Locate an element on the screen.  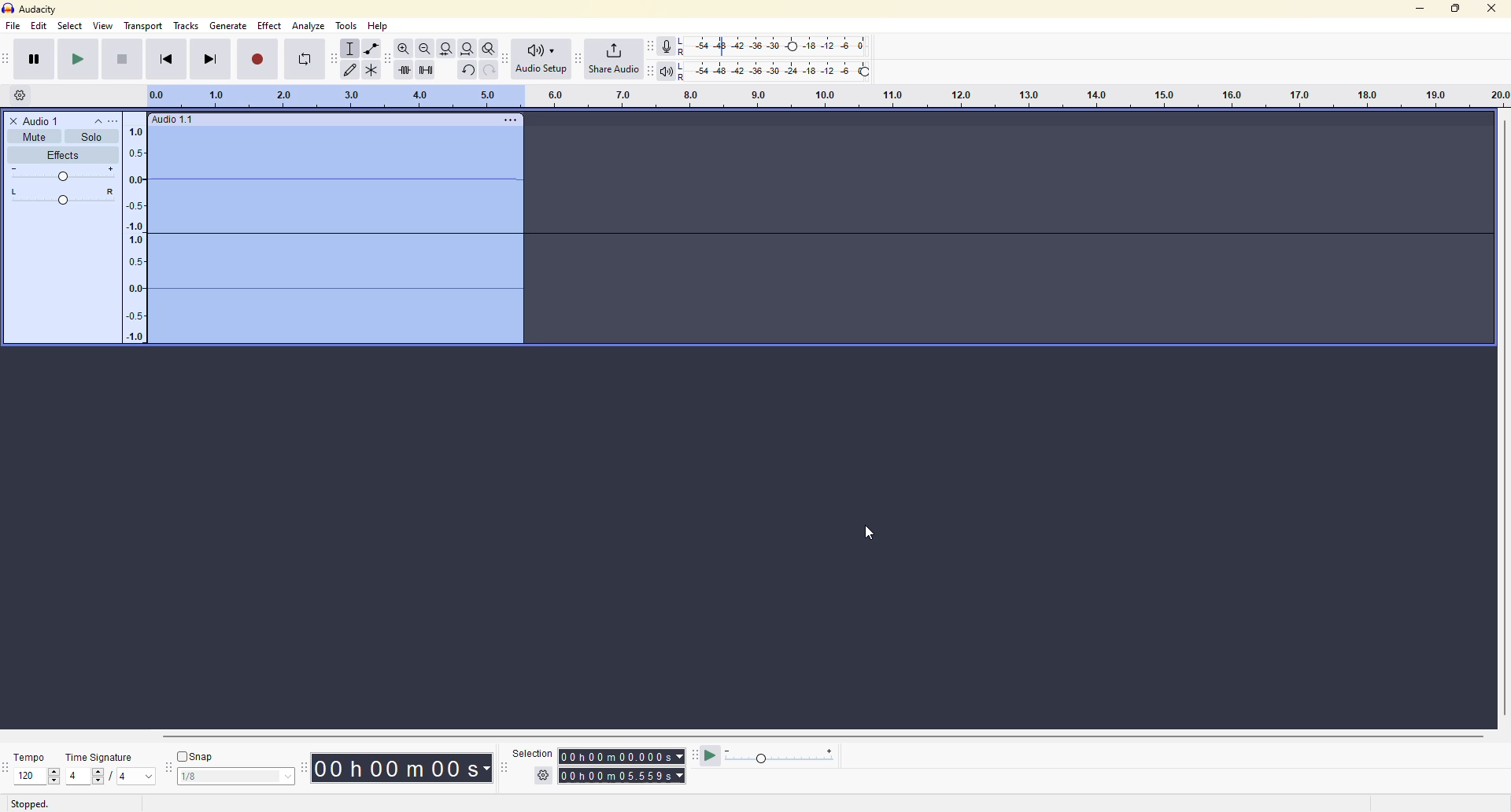
undo is located at coordinates (467, 70).